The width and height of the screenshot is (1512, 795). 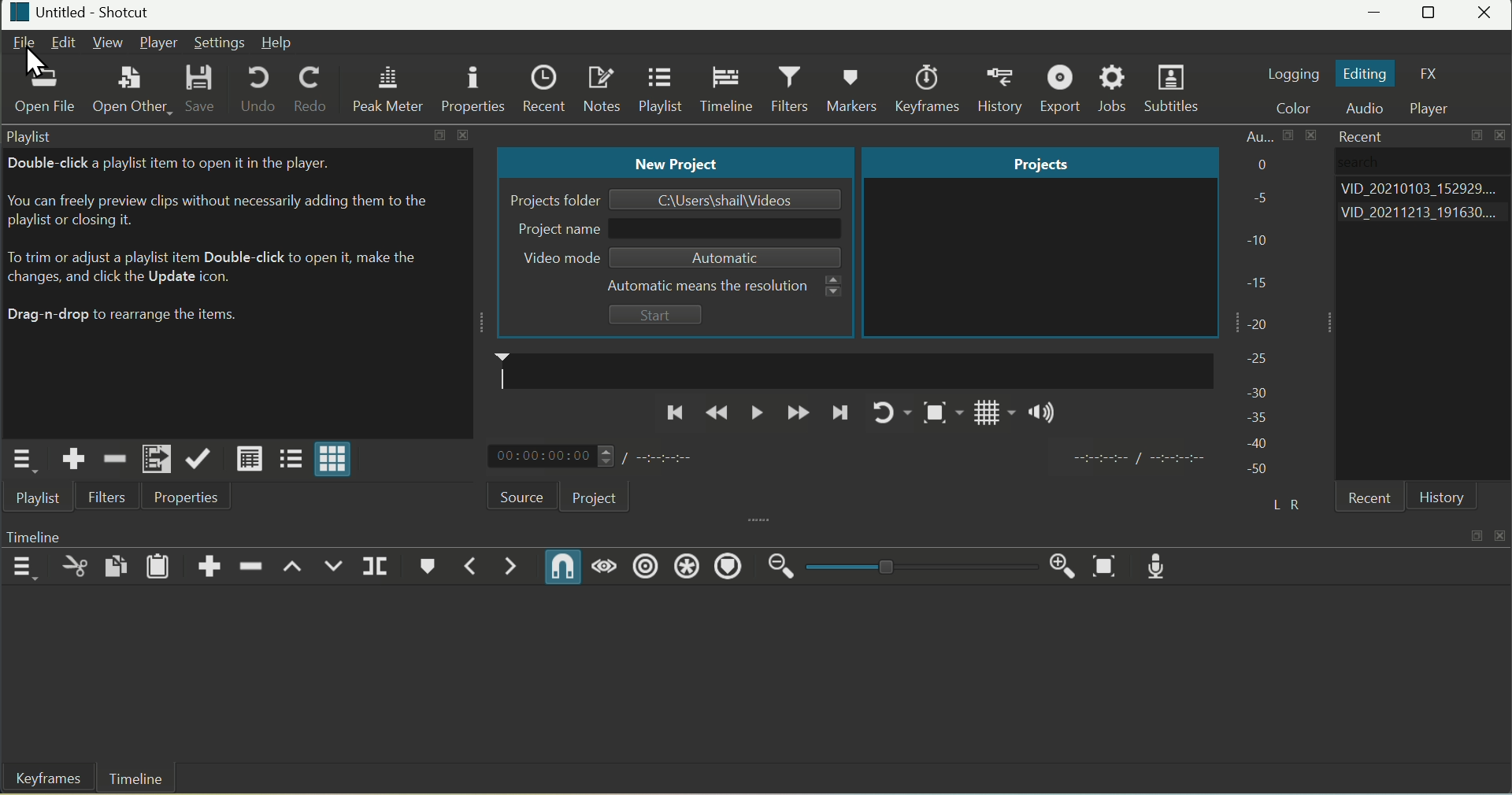 I want to click on Previous, so click(x=672, y=413).